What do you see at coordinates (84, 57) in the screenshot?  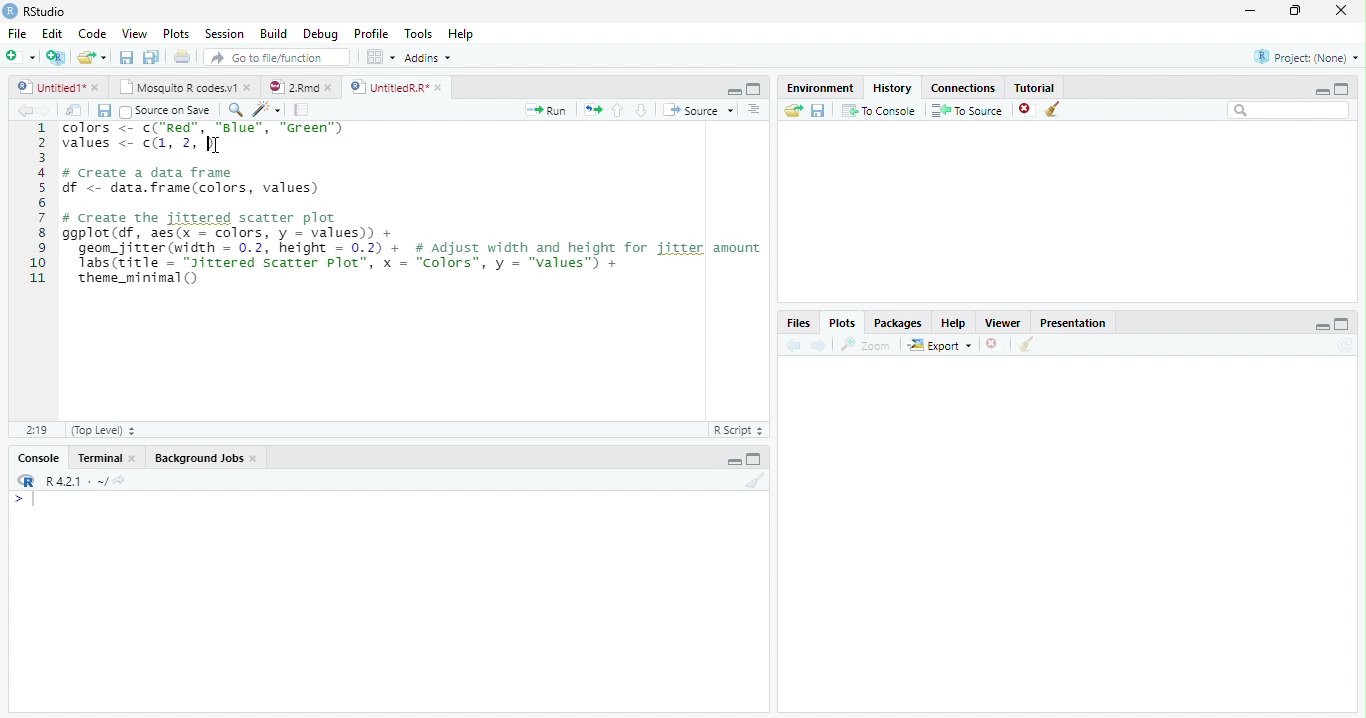 I see `Open an existing file` at bounding box center [84, 57].